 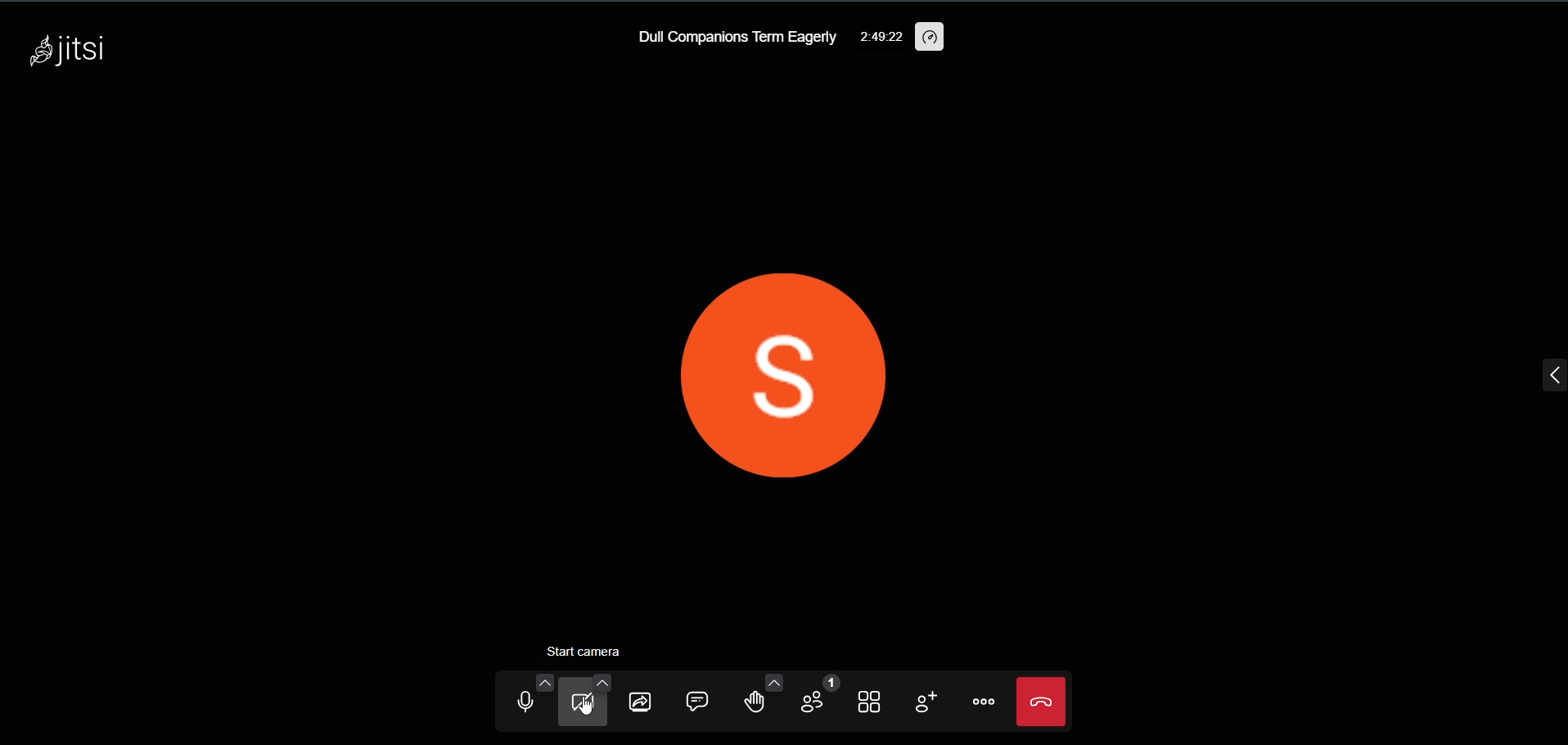 What do you see at coordinates (981, 702) in the screenshot?
I see `more` at bounding box center [981, 702].